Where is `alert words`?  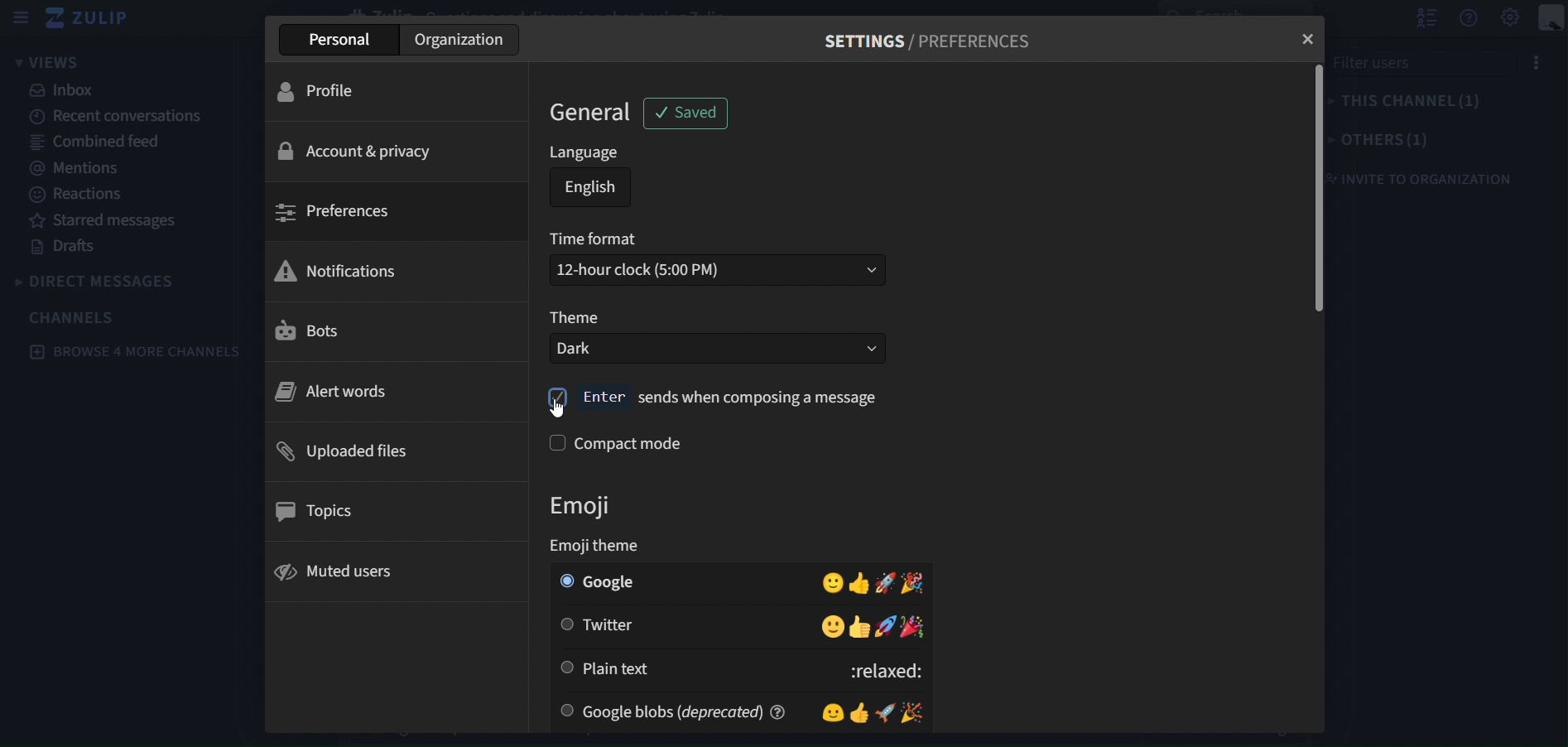
alert words is located at coordinates (391, 390).